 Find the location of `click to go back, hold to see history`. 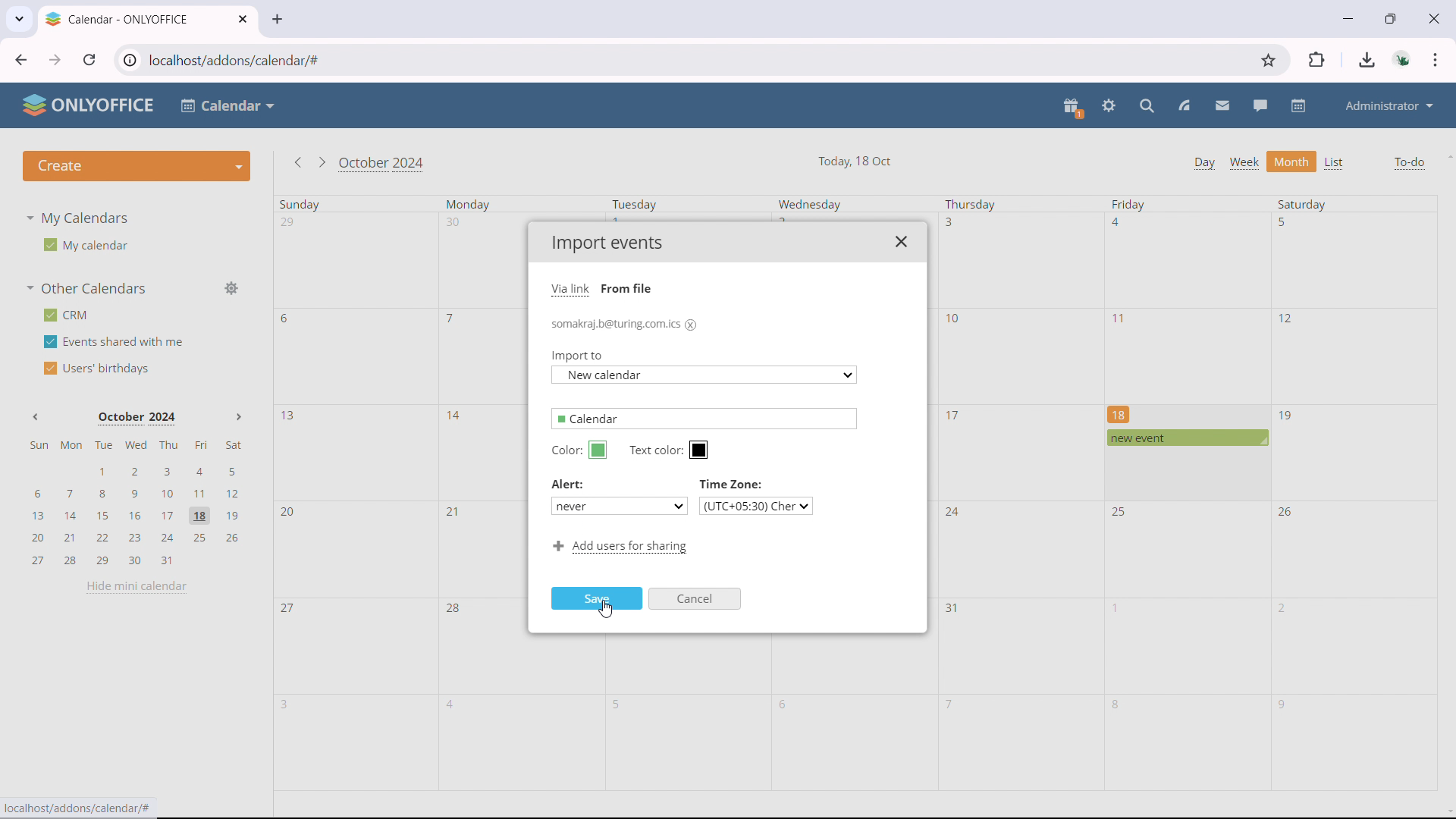

click to go back, hold to see history is located at coordinates (21, 59).